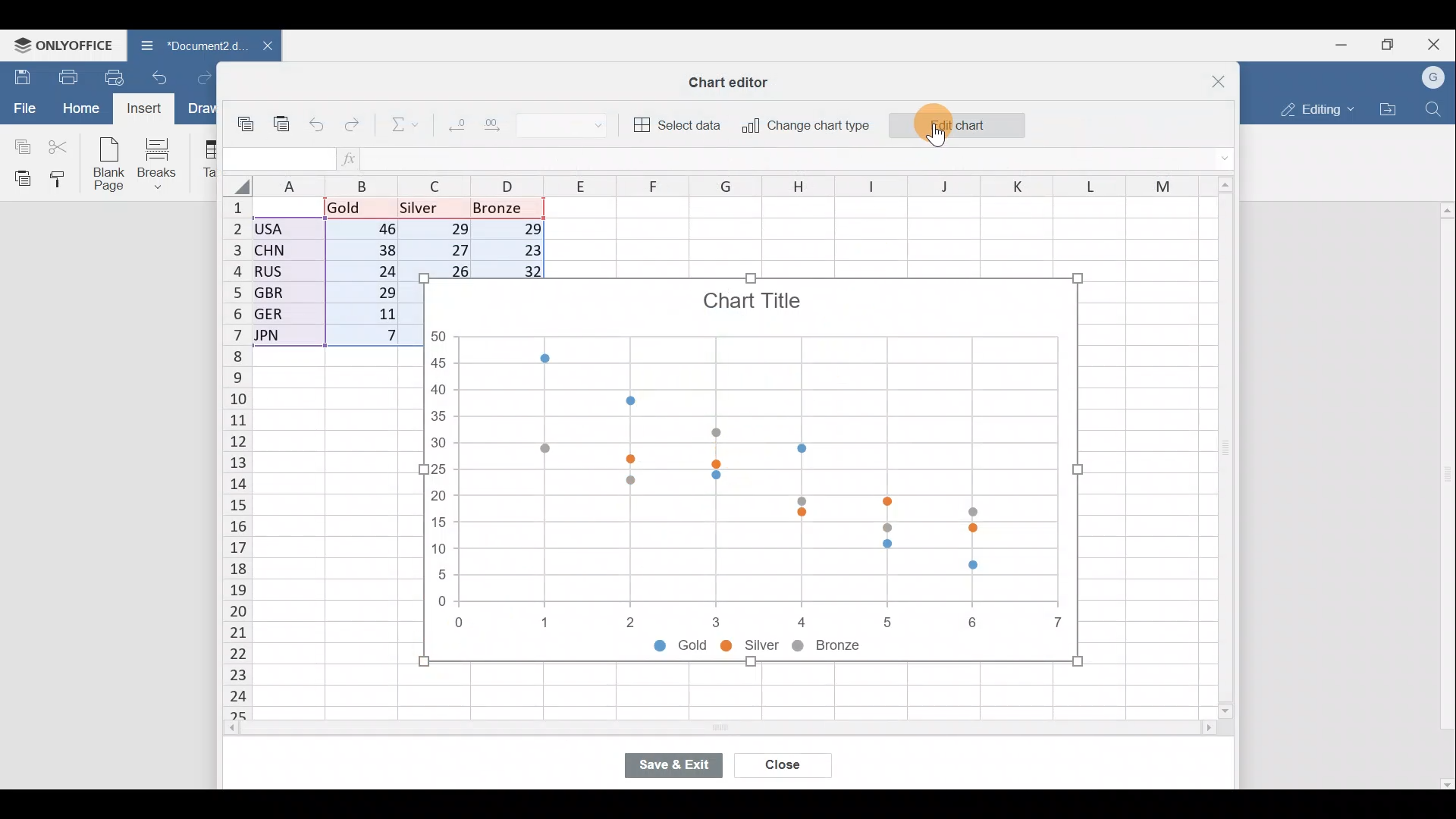 The image size is (1456, 819). Describe the element at coordinates (78, 108) in the screenshot. I see `Home` at that location.